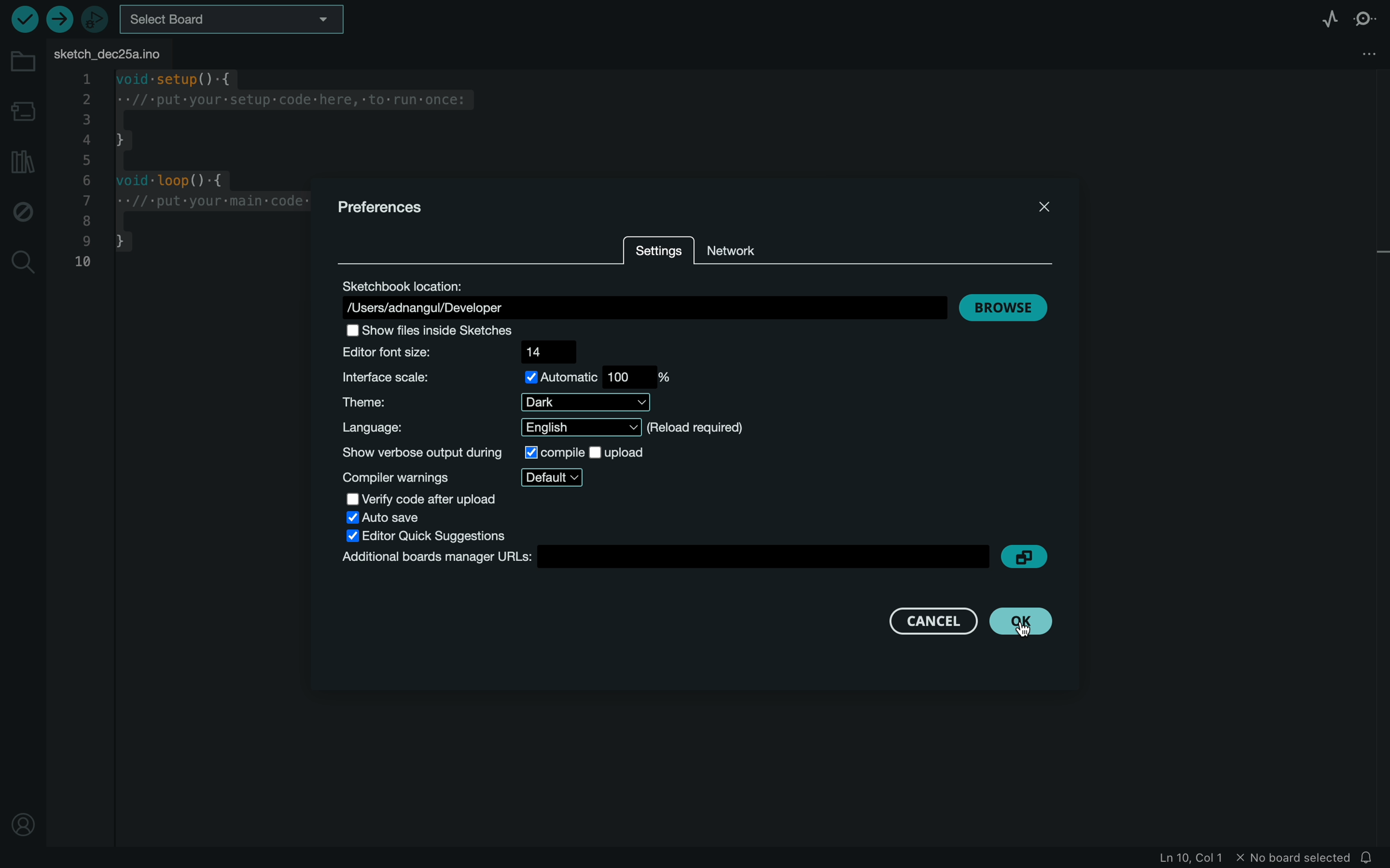 This screenshot has width=1390, height=868. What do you see at coordinates (658, 251) in the screenshot?
I see `settings` at bounding box center [658, 251].